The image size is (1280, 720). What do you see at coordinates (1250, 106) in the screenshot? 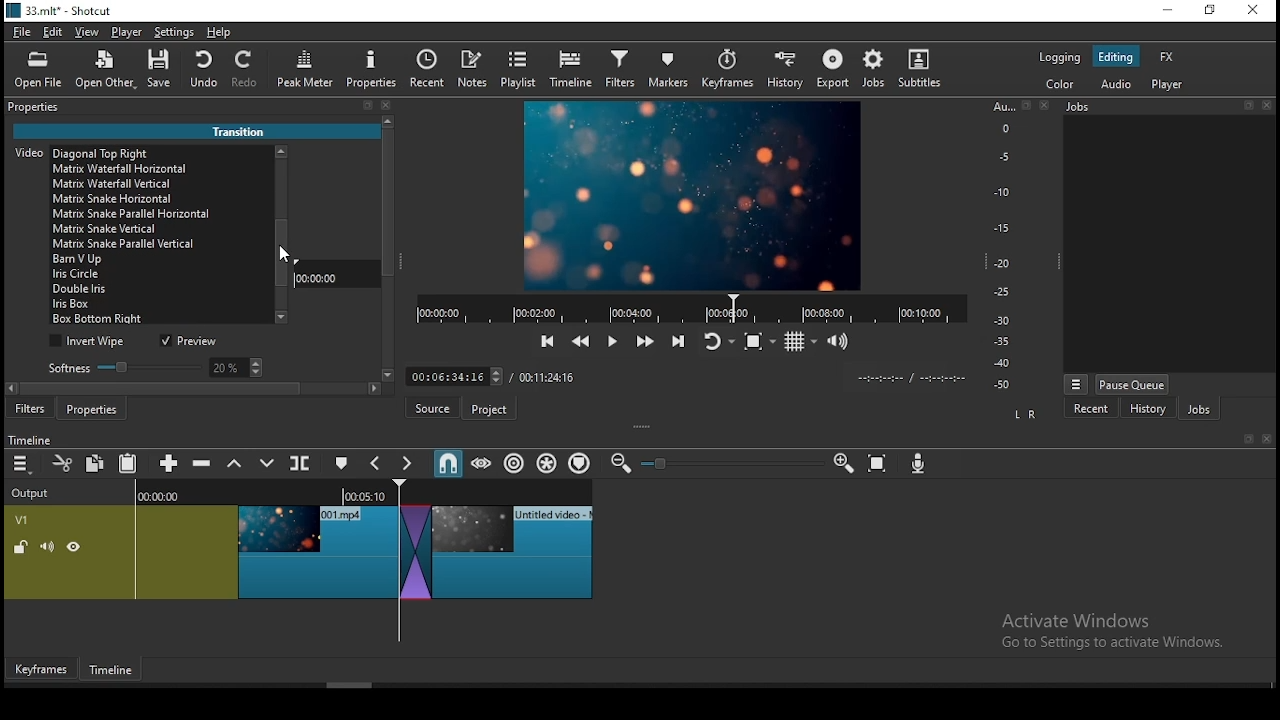
I see `` at bounding box center [1250, 106].